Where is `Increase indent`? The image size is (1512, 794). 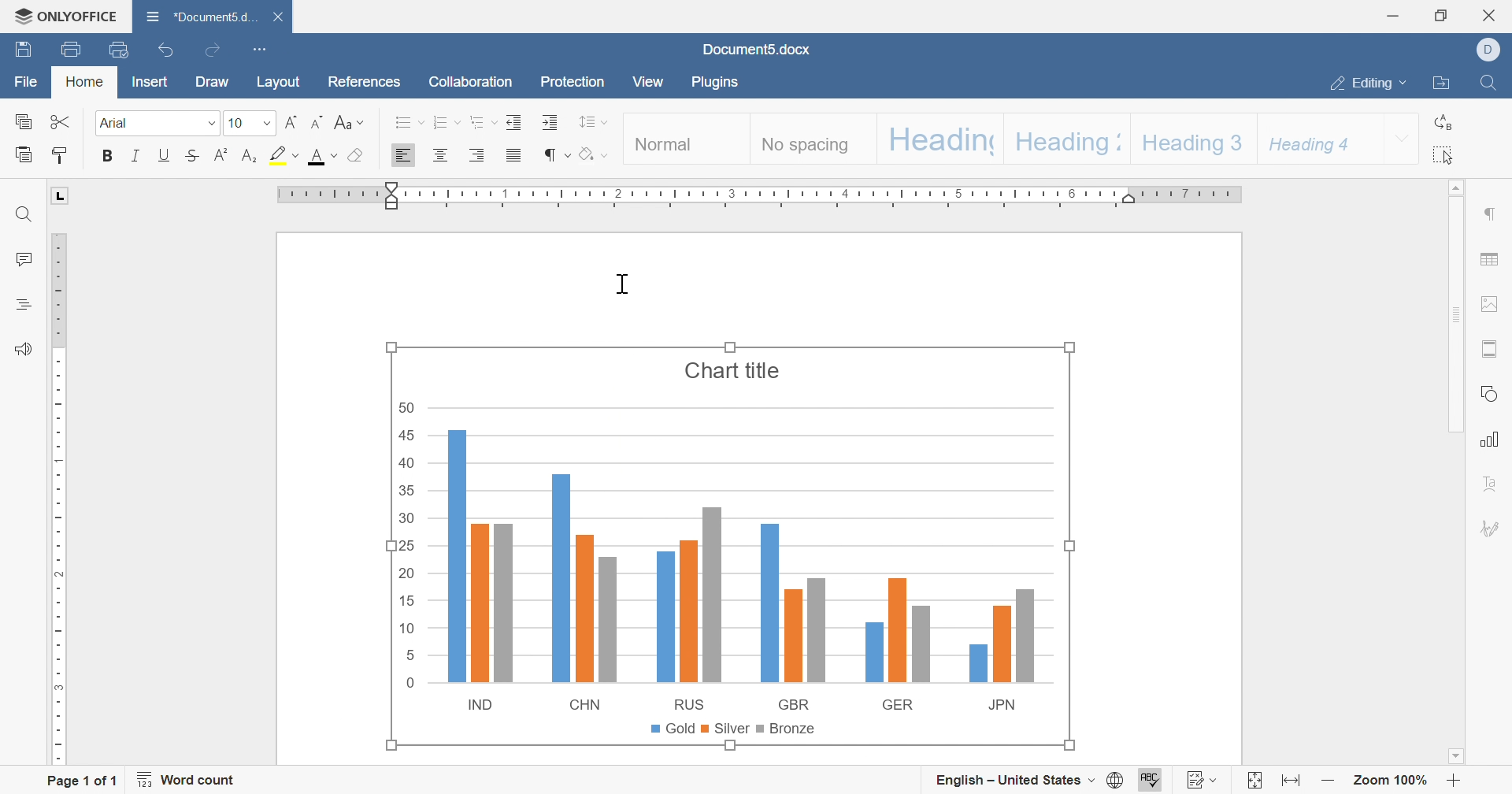
Increase indent is located at coordinates (552, 123).